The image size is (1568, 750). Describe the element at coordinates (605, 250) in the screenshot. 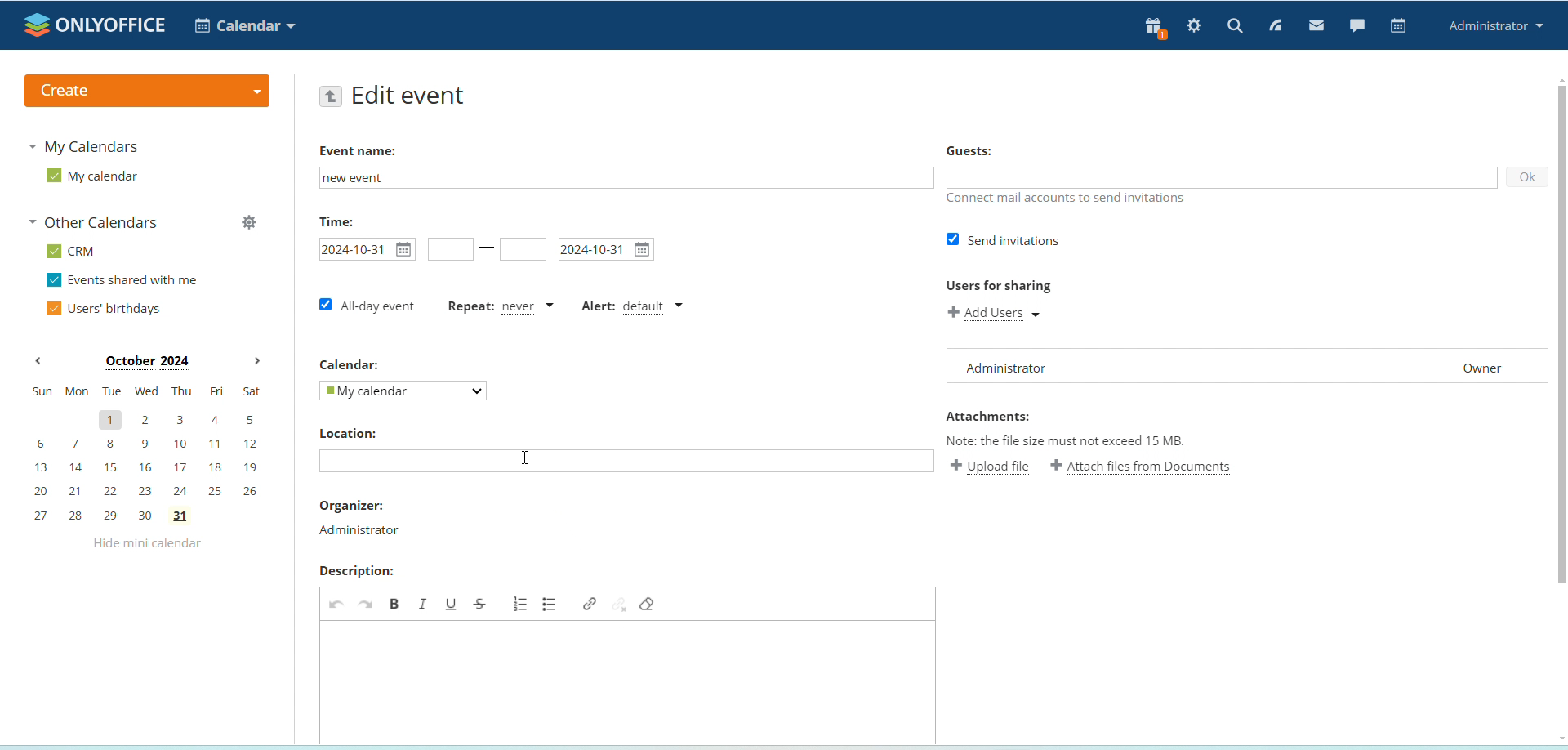

I see `event end date` at that location.